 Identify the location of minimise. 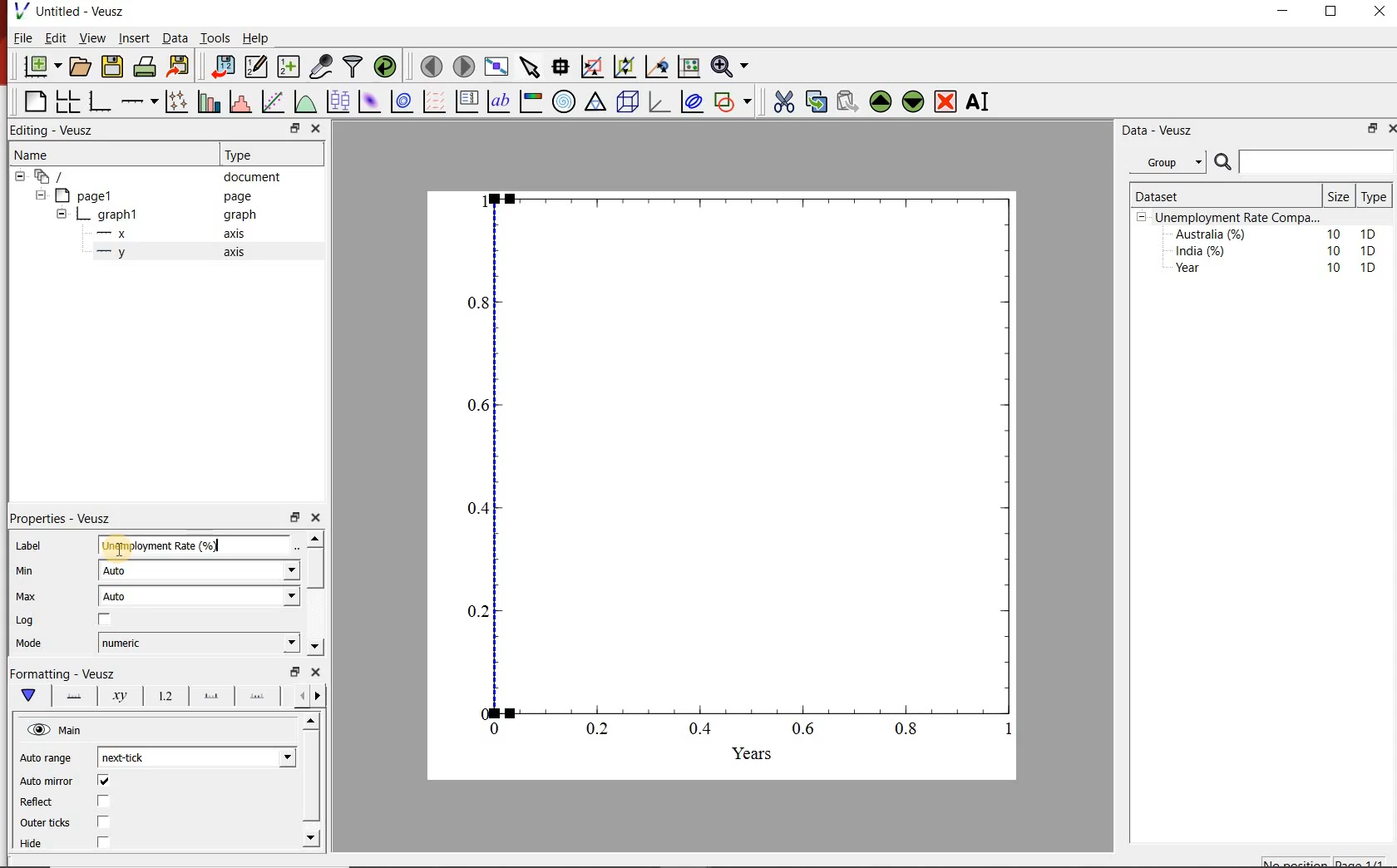
(297, 128).